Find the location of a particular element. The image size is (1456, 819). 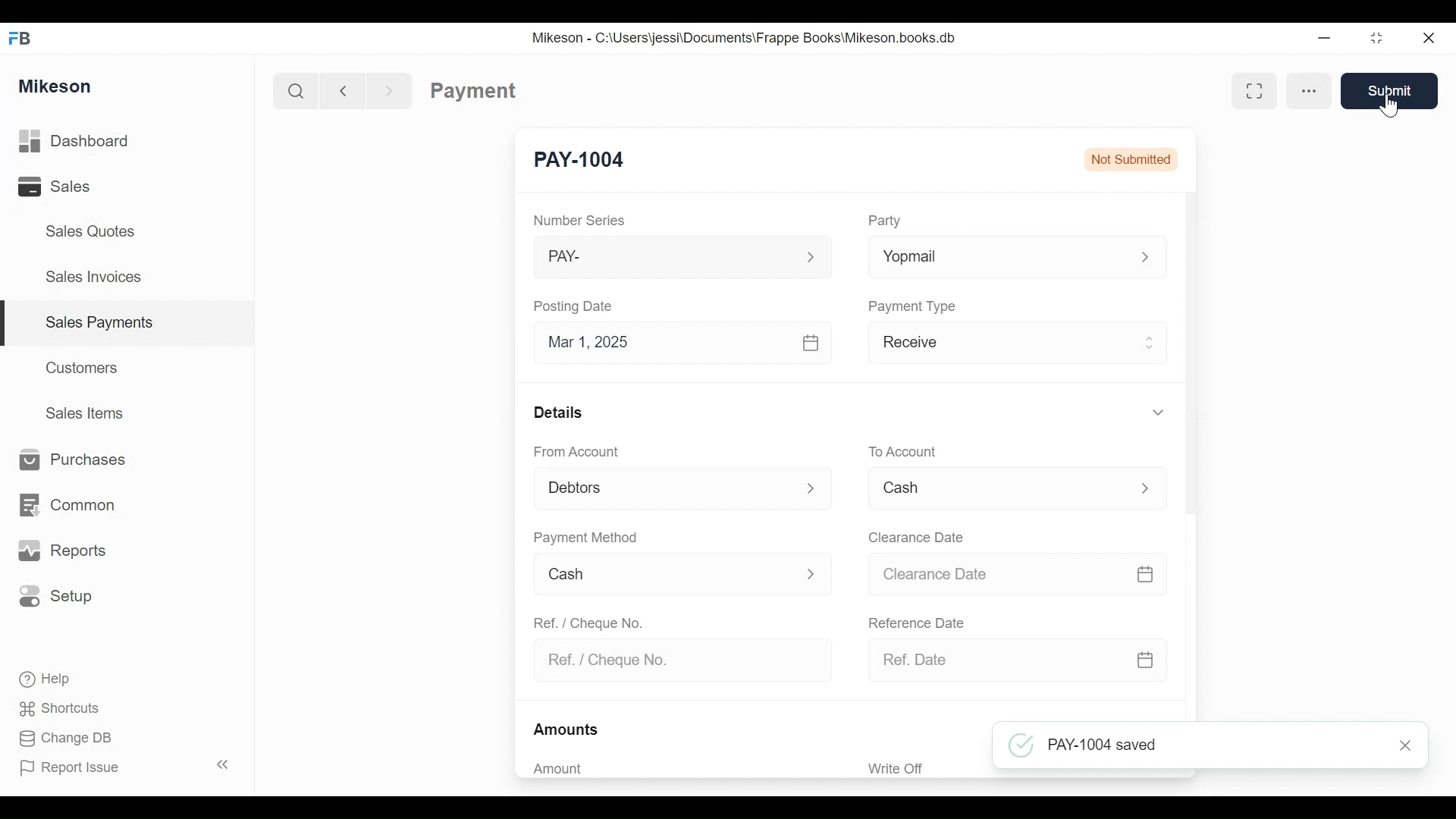

Purchases is located at coordinates (72, 460).